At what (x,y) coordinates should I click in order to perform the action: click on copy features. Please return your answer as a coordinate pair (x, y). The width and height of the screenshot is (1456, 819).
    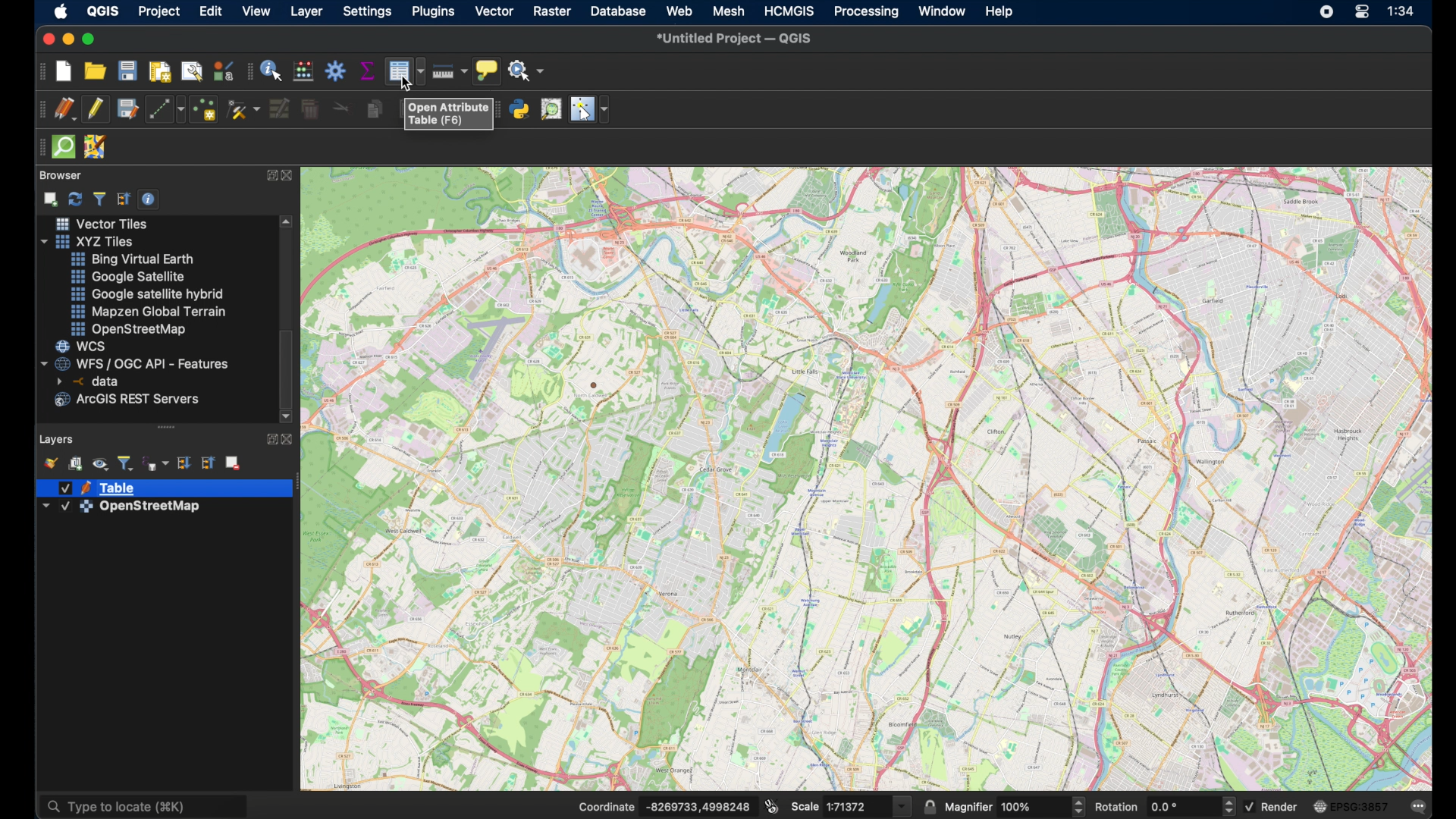
    Looking at the image, I should click on (372, 109).